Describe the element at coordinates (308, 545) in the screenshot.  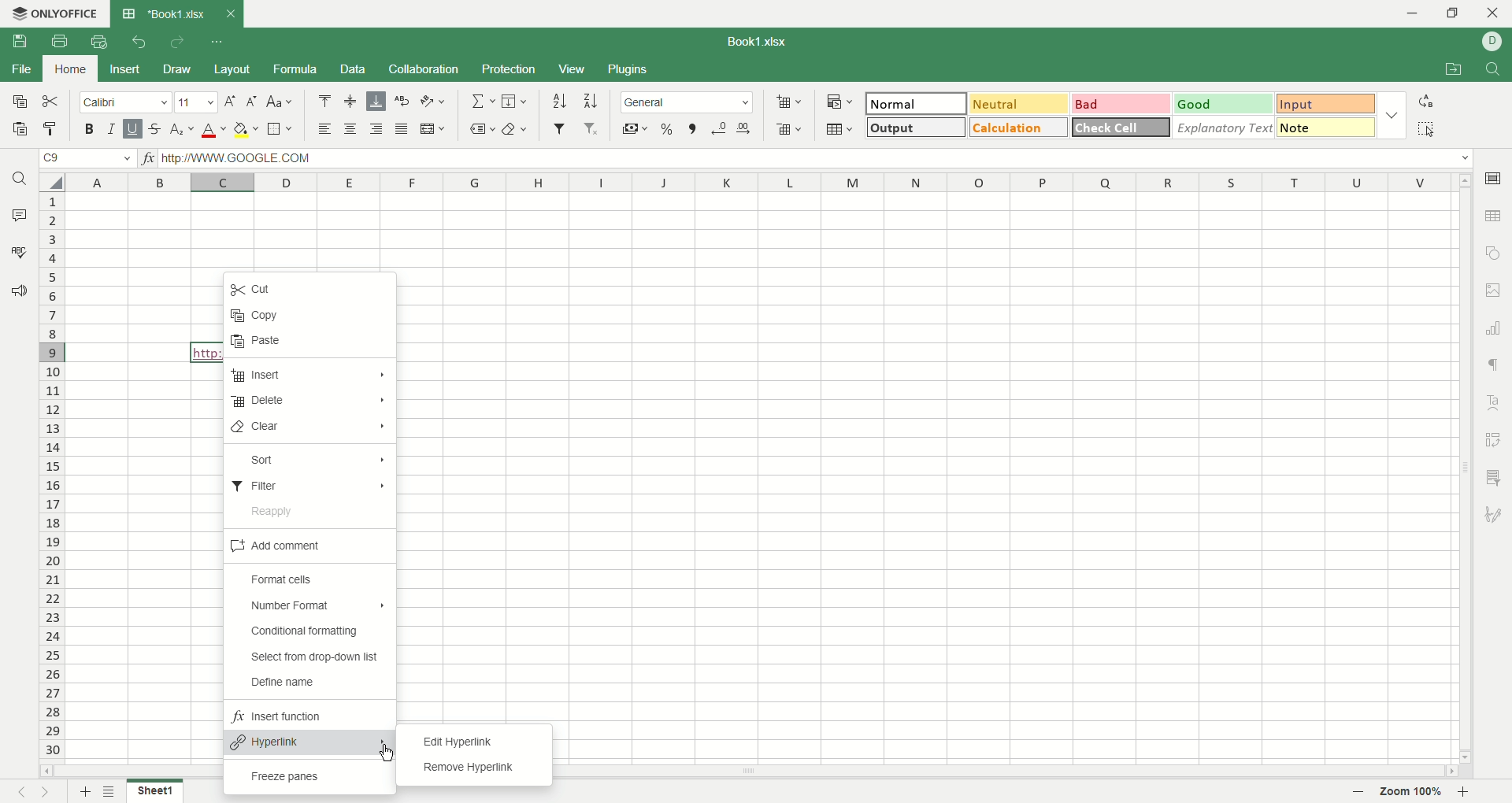
I see `add comment` at that location.